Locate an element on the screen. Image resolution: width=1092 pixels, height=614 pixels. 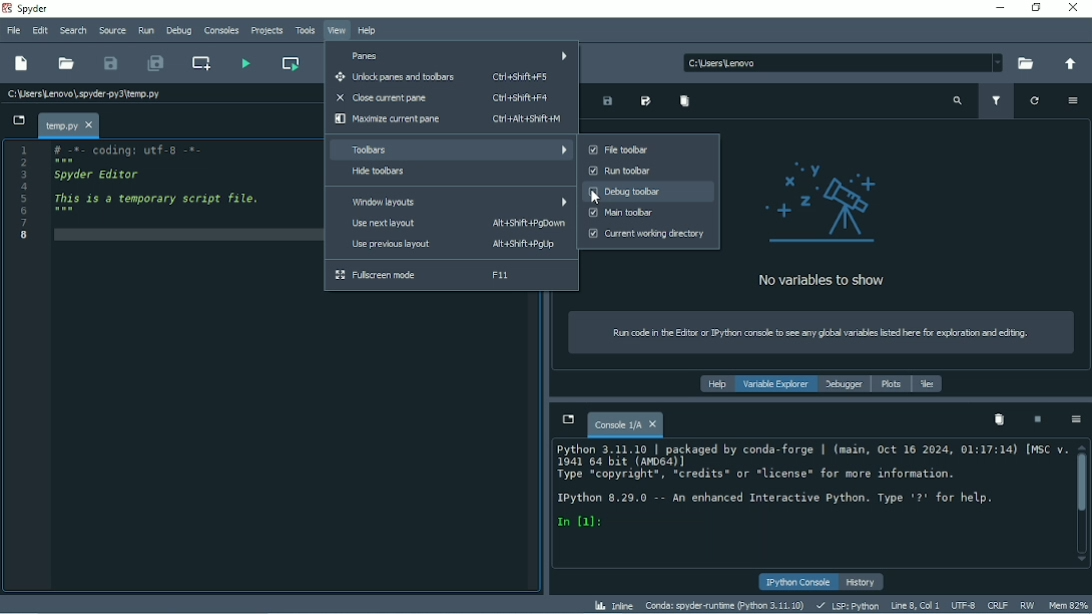
Projects is located at coordinates (265, 32).